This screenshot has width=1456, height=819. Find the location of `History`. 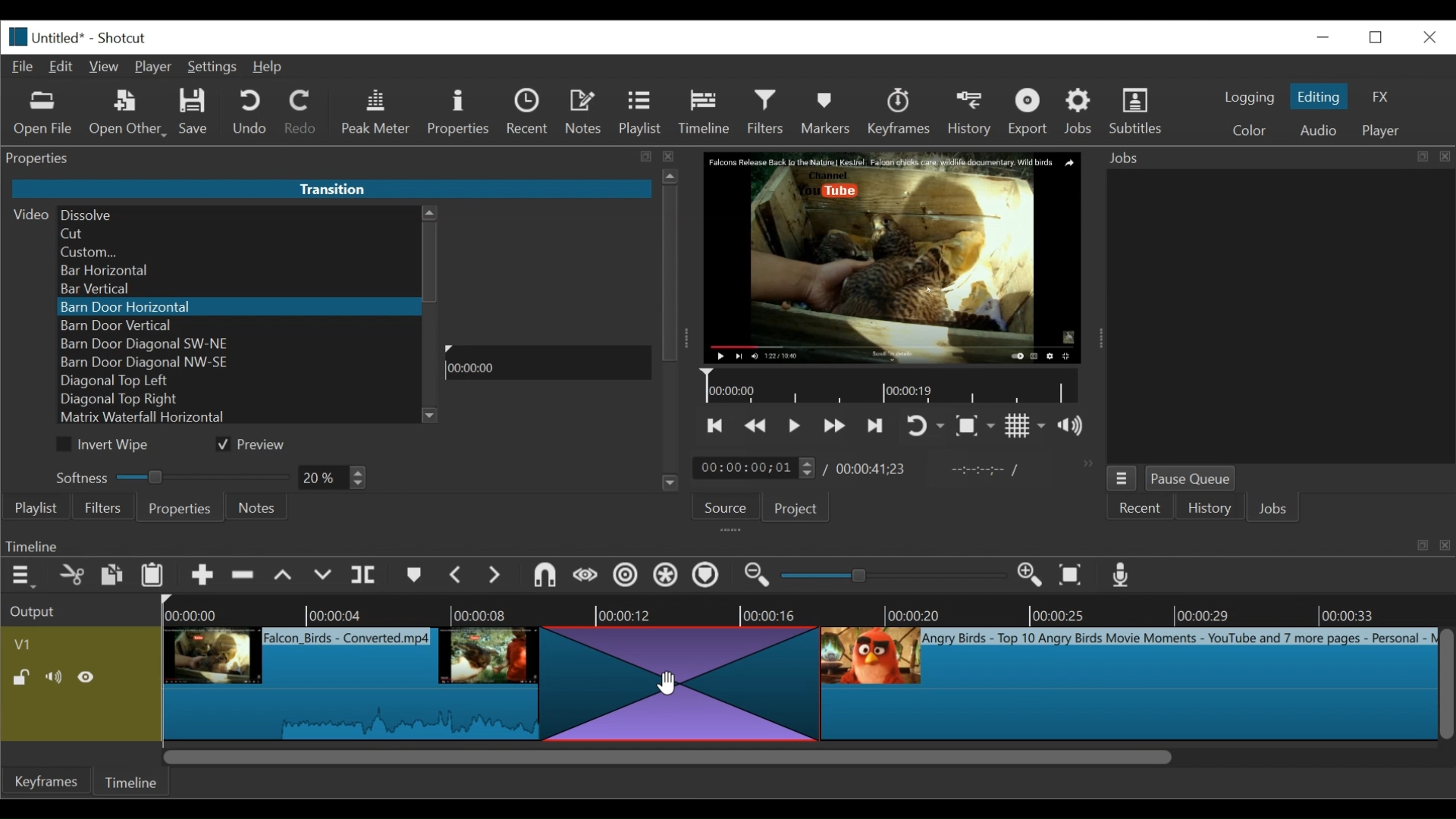

History is located at coordinates (972, 115).